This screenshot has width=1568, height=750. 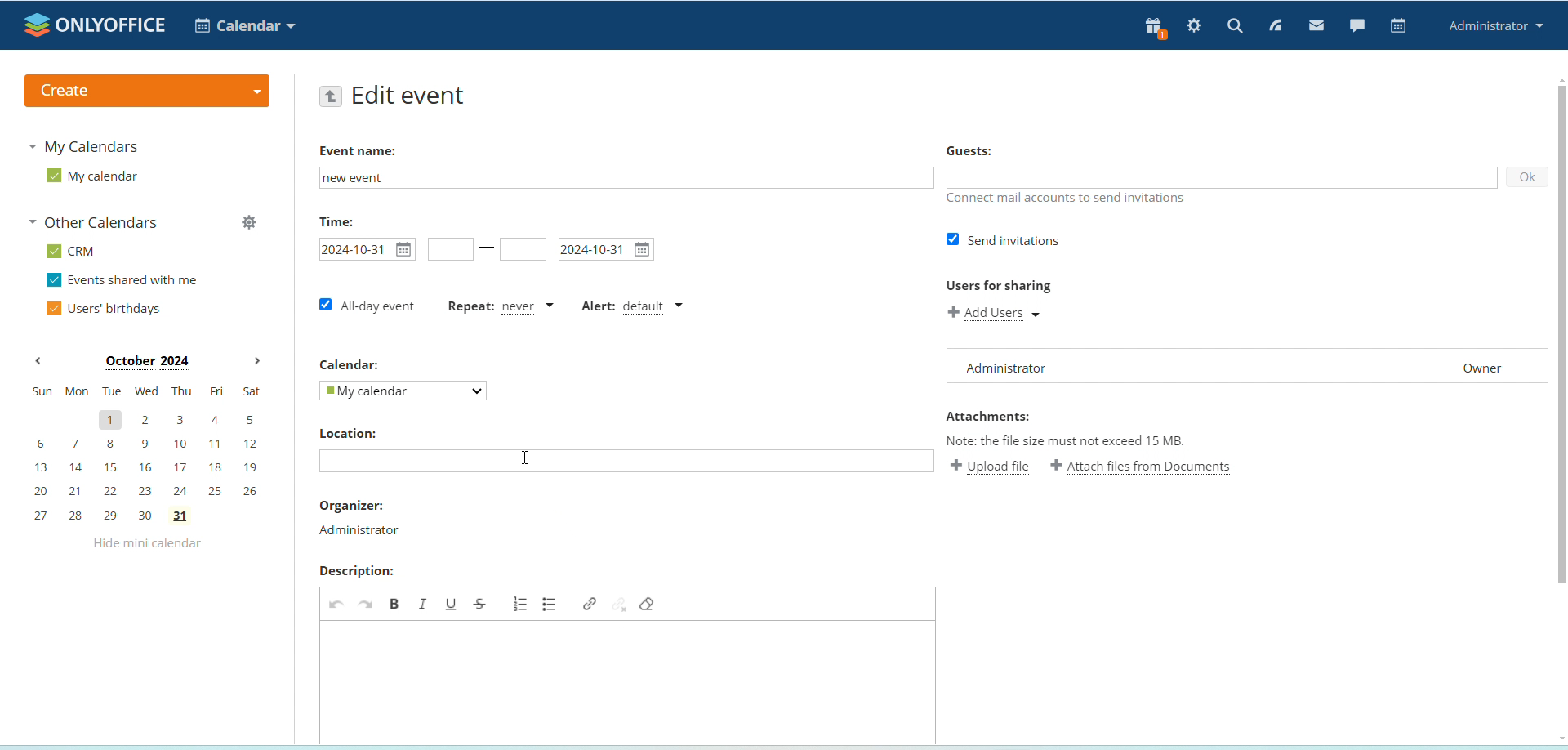 What do you see at coordinates (1142, 467) in the screenshot?
I see `attach file from documents` at bounding box center [1142, 467].